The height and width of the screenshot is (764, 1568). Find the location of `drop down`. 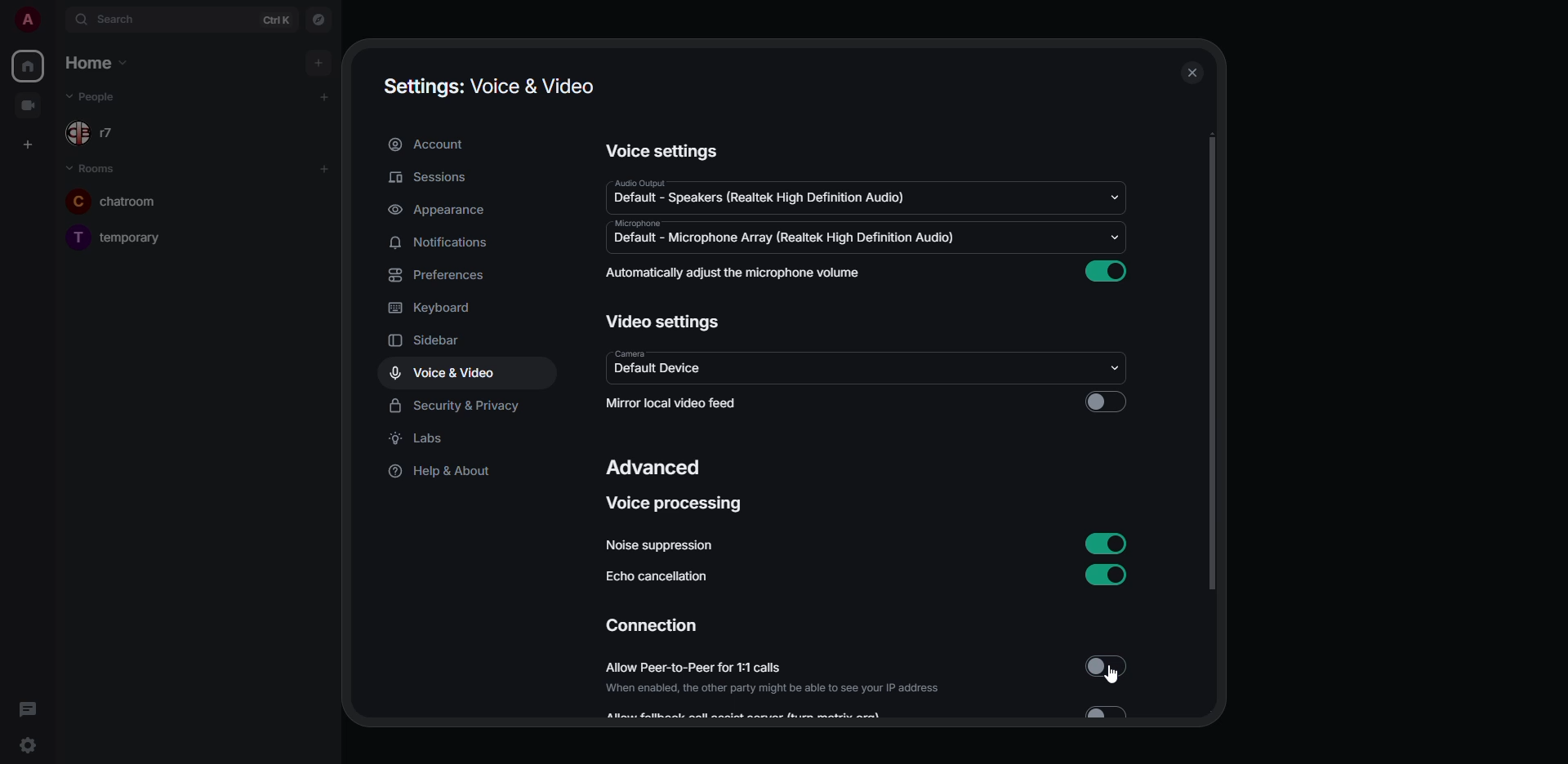

drop down is located at coordinates (1118, 234).